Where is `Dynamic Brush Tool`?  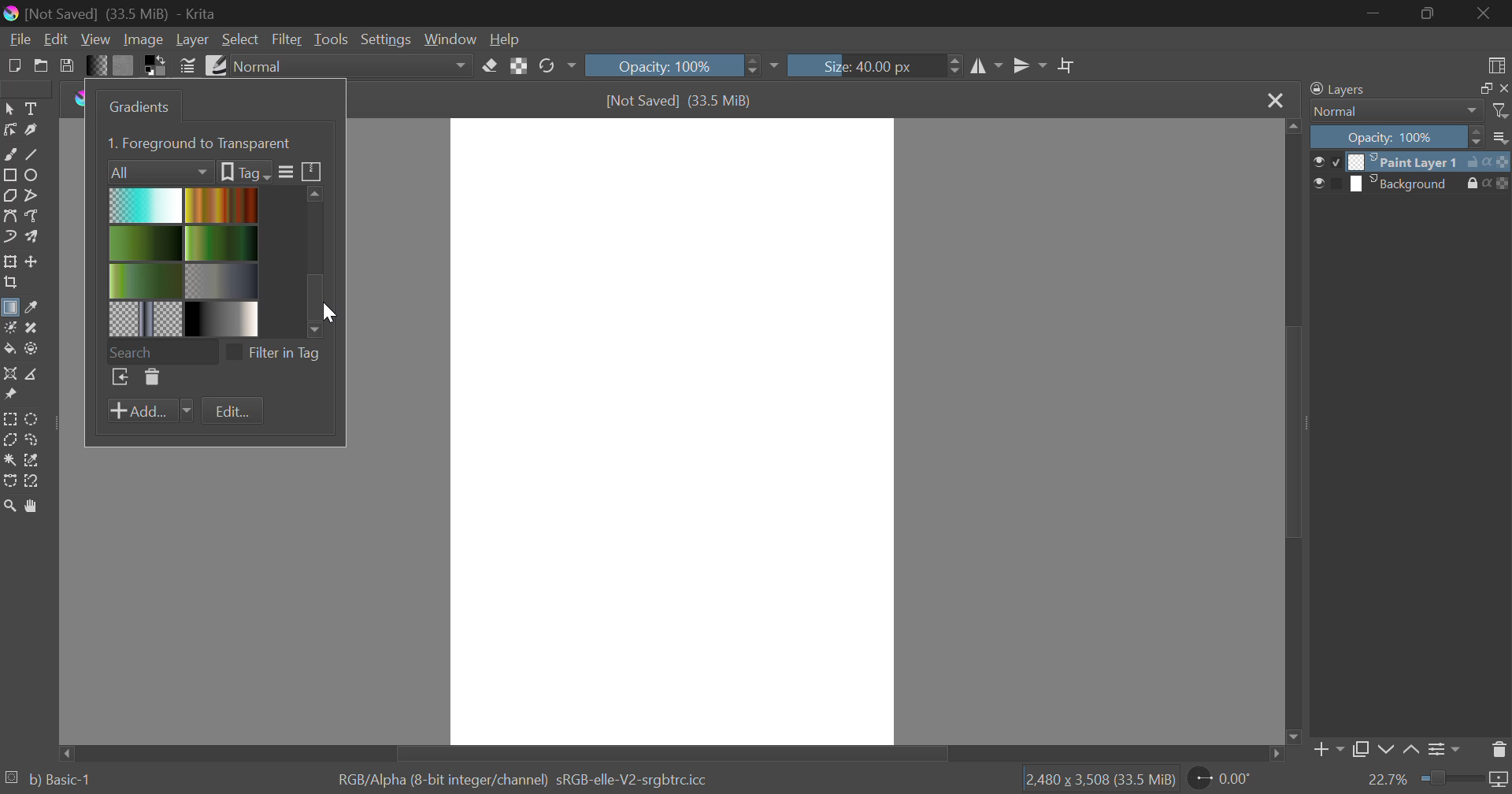 Dynamic Brush Tool is located at coordinates (9, 238).